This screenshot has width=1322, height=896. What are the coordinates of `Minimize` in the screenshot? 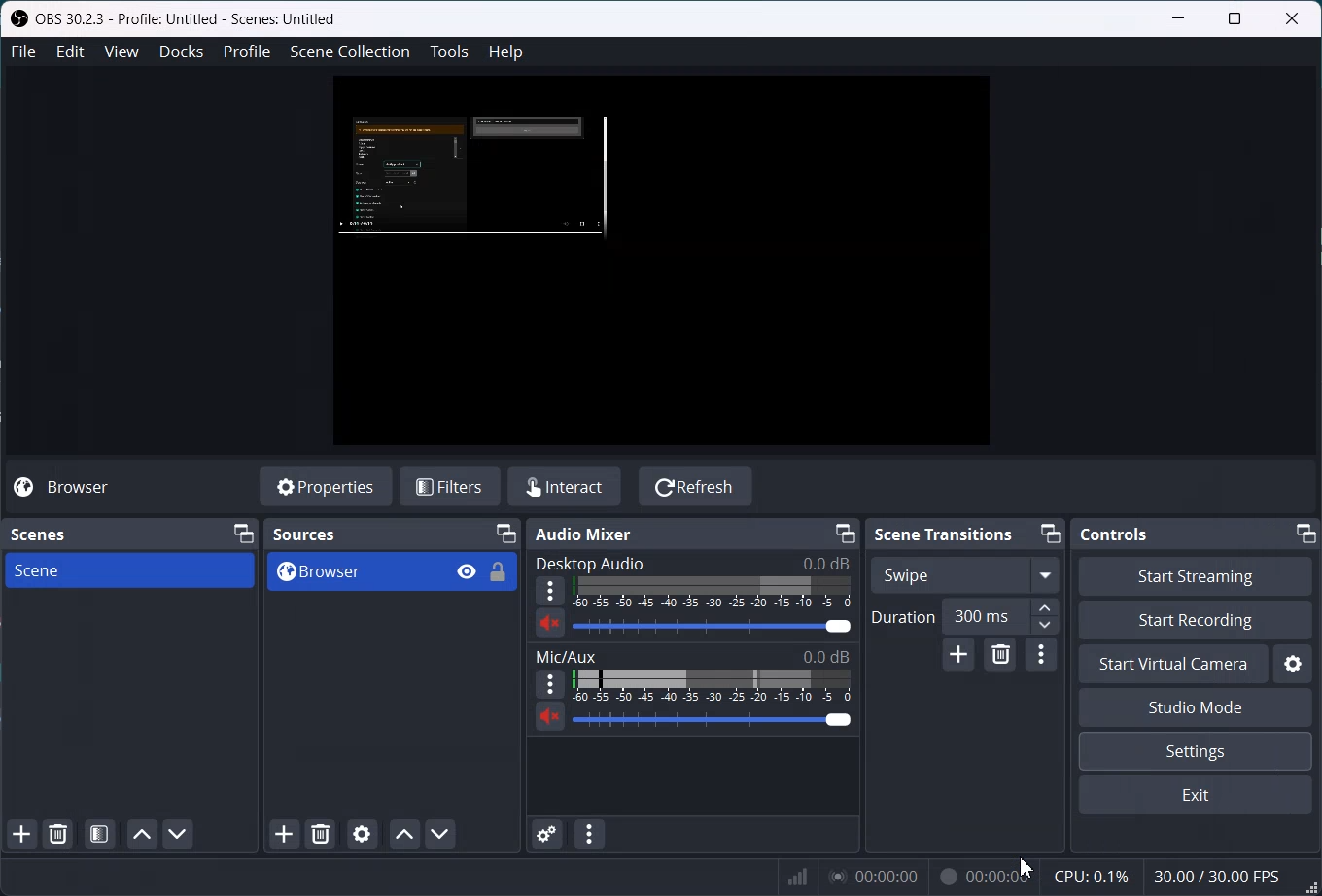 It's located at (1305, 534).